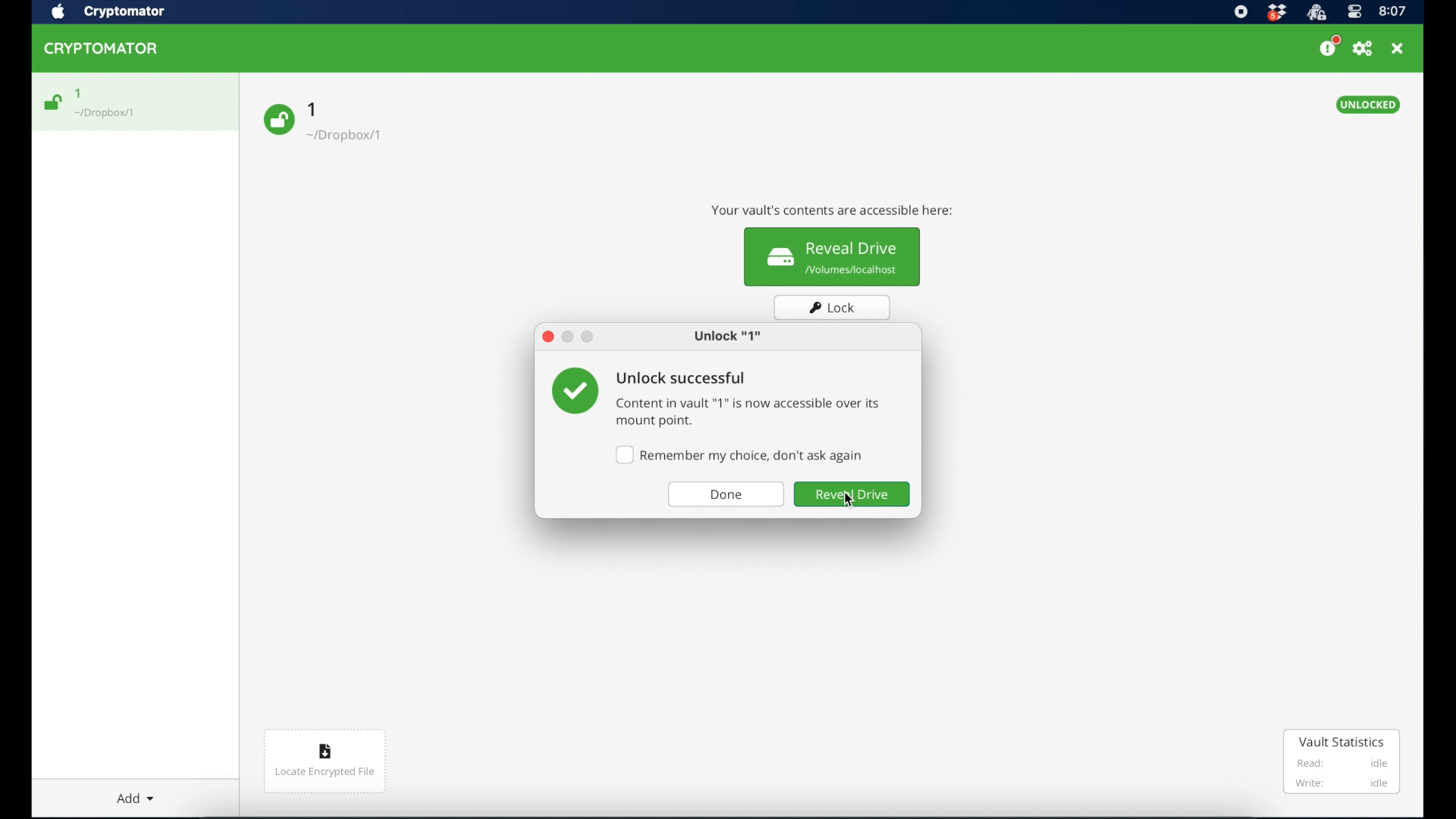  I want to click on 1 Dropbox/1, so click(354, 127).